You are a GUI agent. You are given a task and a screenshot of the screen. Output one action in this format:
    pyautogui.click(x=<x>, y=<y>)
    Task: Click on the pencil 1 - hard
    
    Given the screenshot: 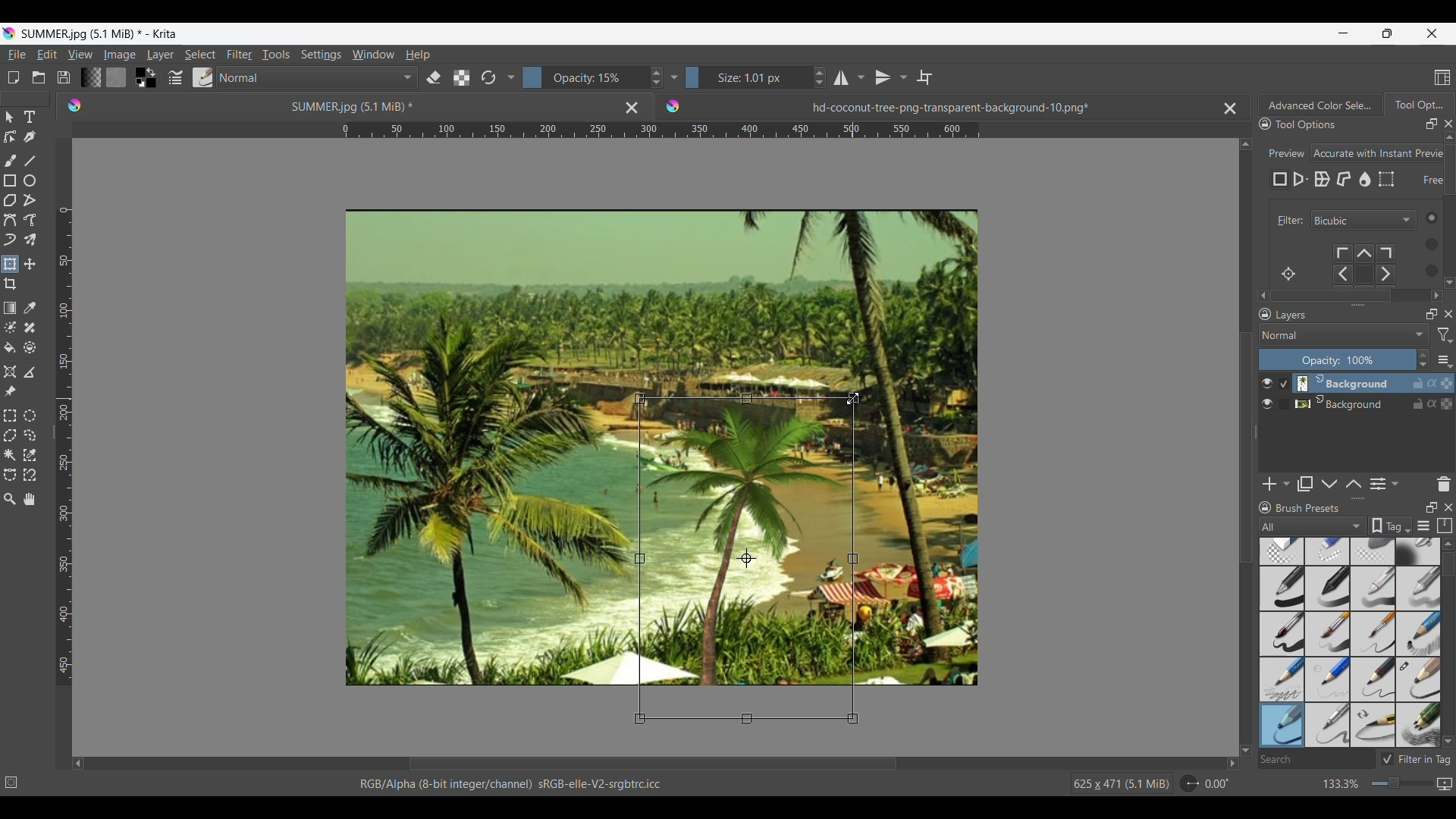 What is the action you would take?
    pyautogui.click(x=1328, y=679)
    